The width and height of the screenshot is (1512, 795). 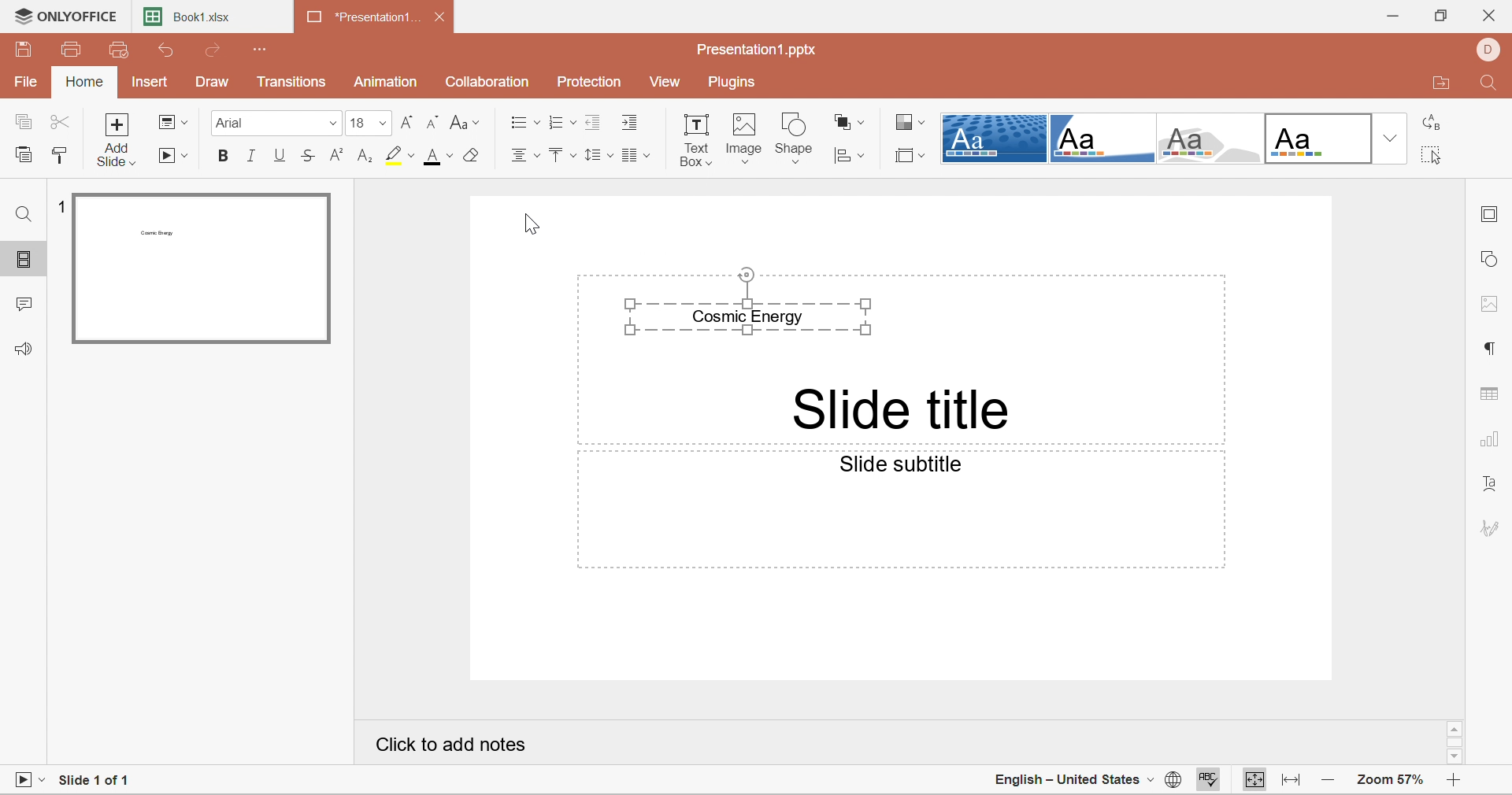 I want to click on Close, so click(x=440, y=18).